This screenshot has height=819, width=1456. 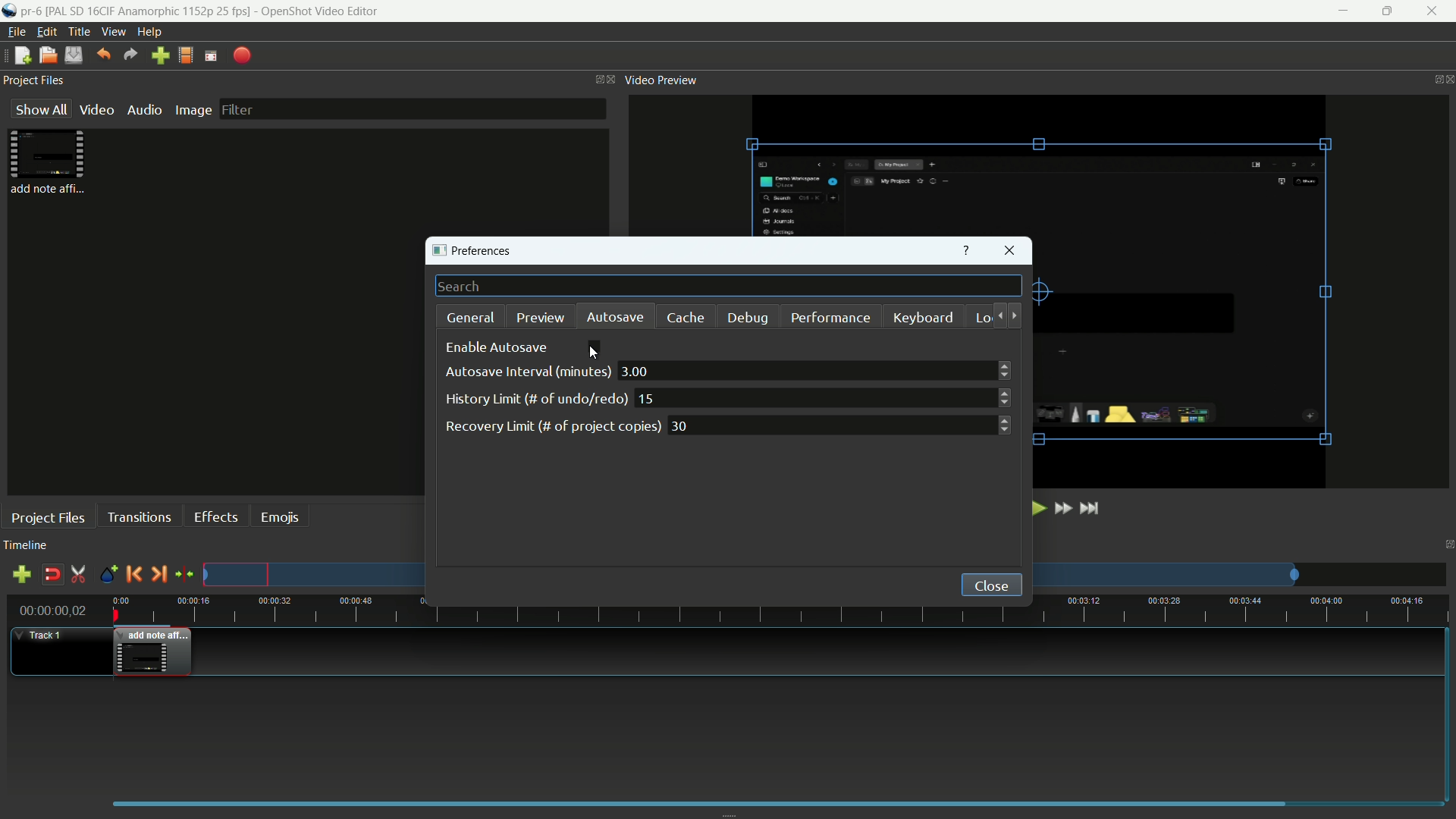 What do you see at coordinates (13, 33) in the screenshot?
I see `file menu` at bounding box center [13, 33].